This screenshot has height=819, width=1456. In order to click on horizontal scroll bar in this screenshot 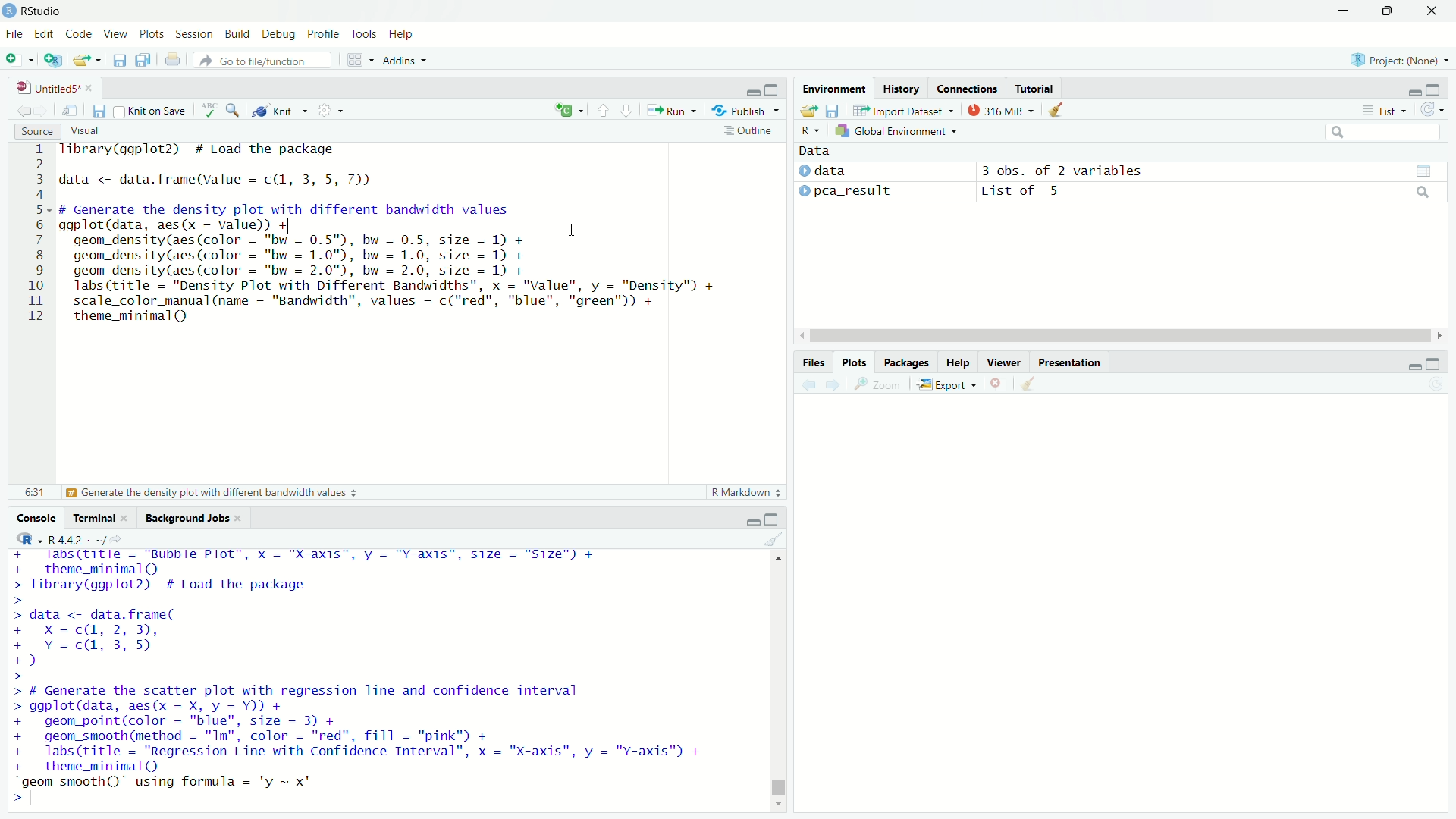, I will do `click(1121, 336)`.